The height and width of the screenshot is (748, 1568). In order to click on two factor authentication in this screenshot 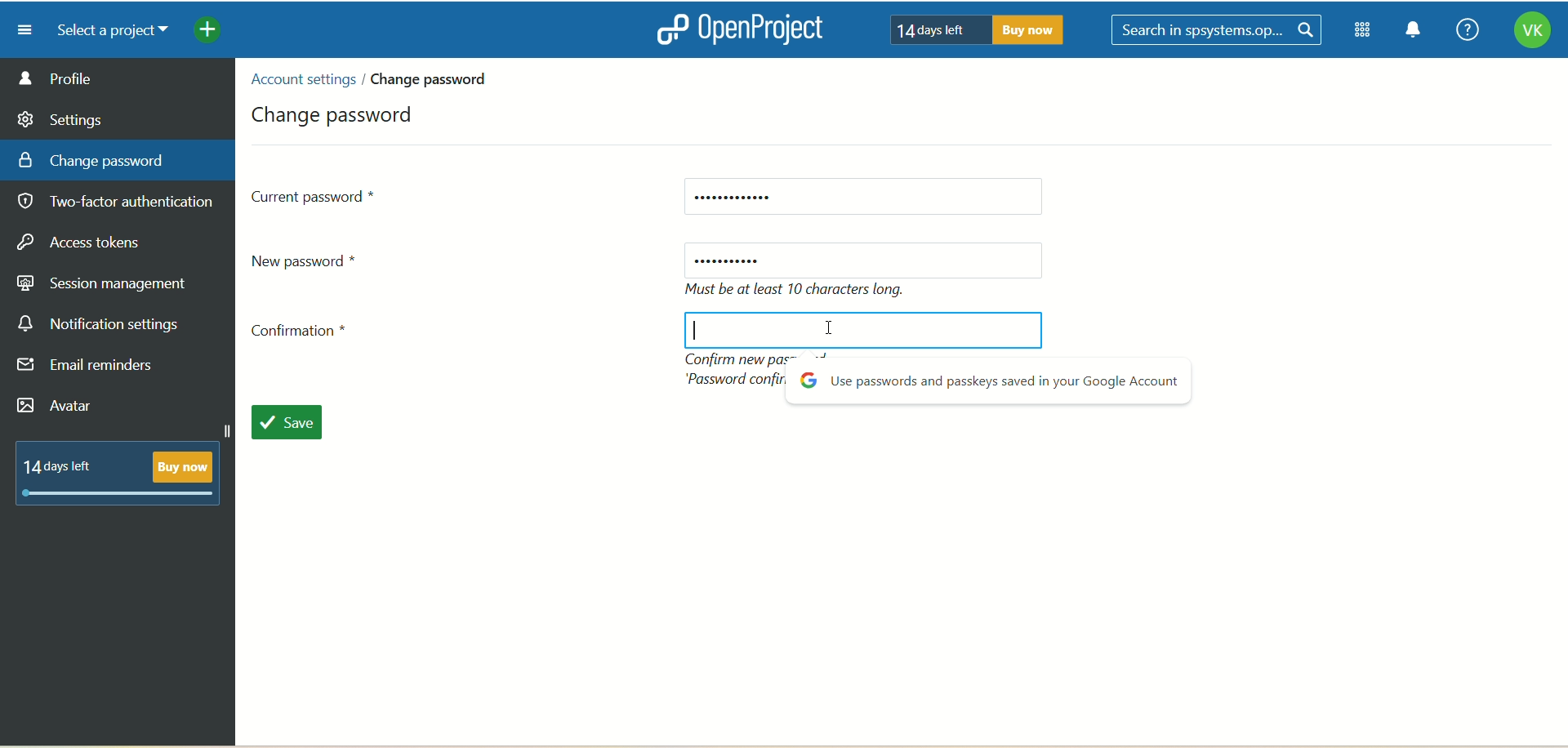, I will do `click(122, 203)`.